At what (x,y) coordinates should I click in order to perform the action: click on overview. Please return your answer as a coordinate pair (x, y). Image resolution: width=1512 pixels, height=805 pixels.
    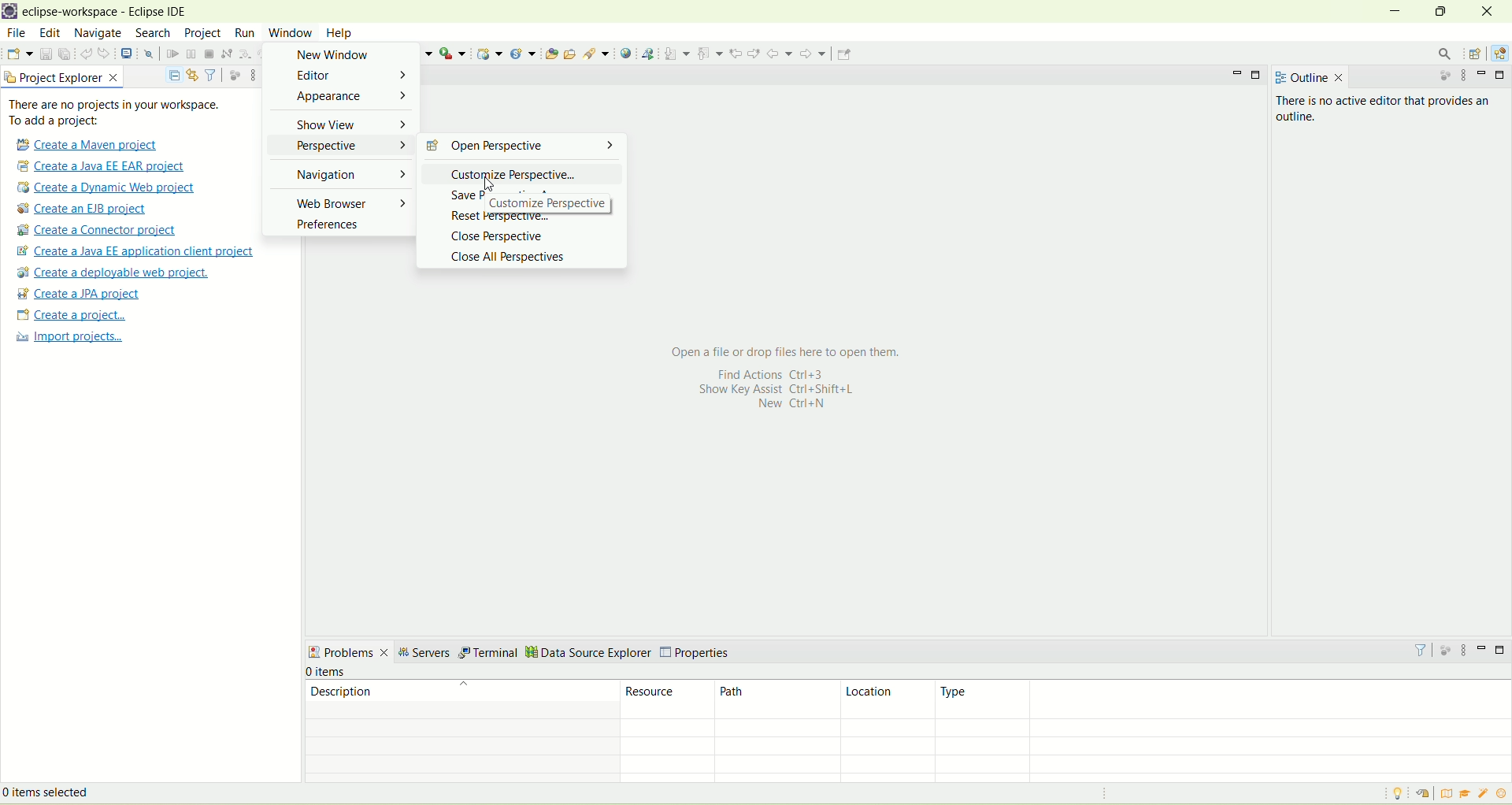
    Looking at the image, I should click on (1450, 794).